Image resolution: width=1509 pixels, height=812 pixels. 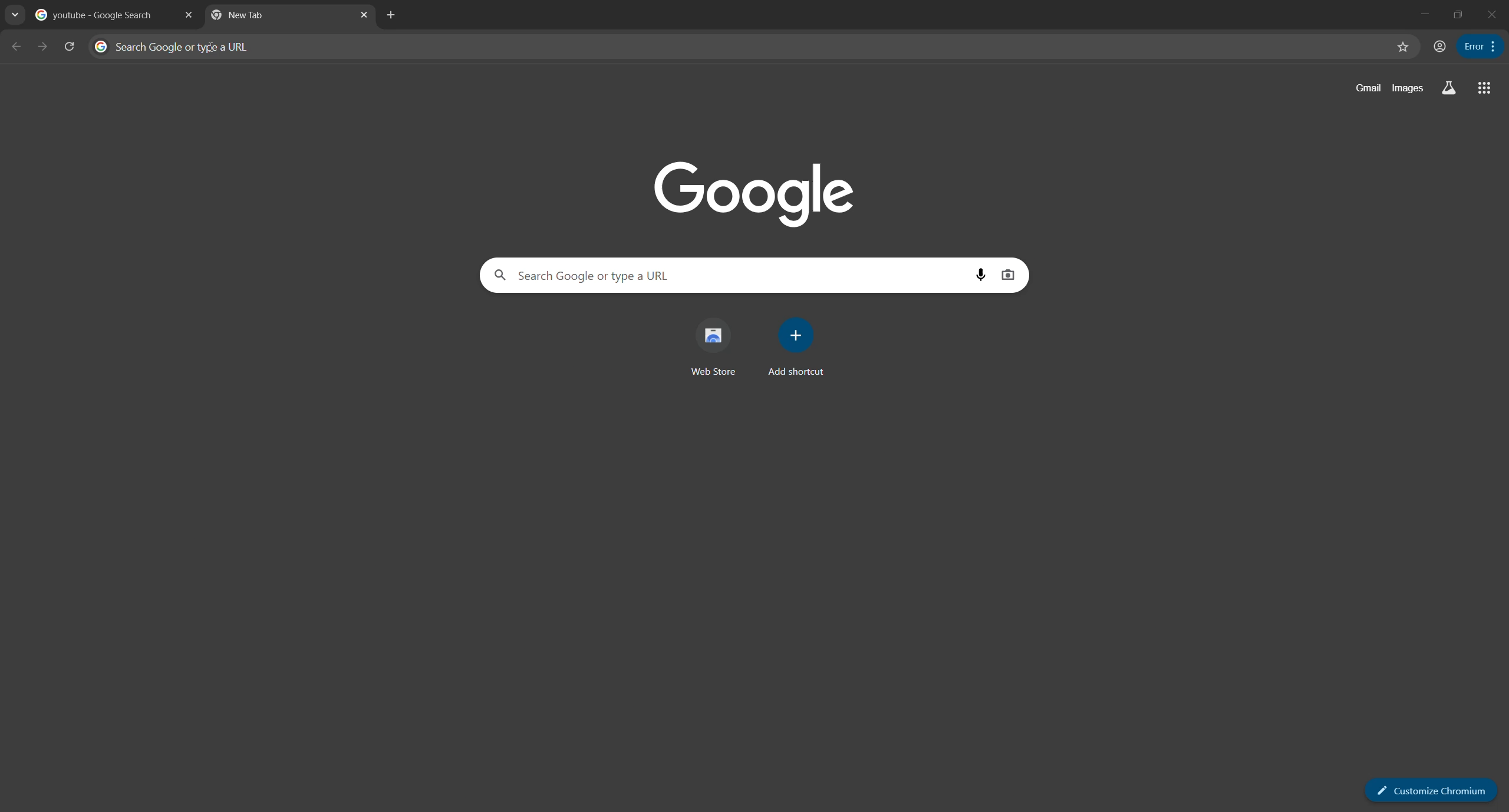 I want to click on close app, so click(x=1493, y=16).